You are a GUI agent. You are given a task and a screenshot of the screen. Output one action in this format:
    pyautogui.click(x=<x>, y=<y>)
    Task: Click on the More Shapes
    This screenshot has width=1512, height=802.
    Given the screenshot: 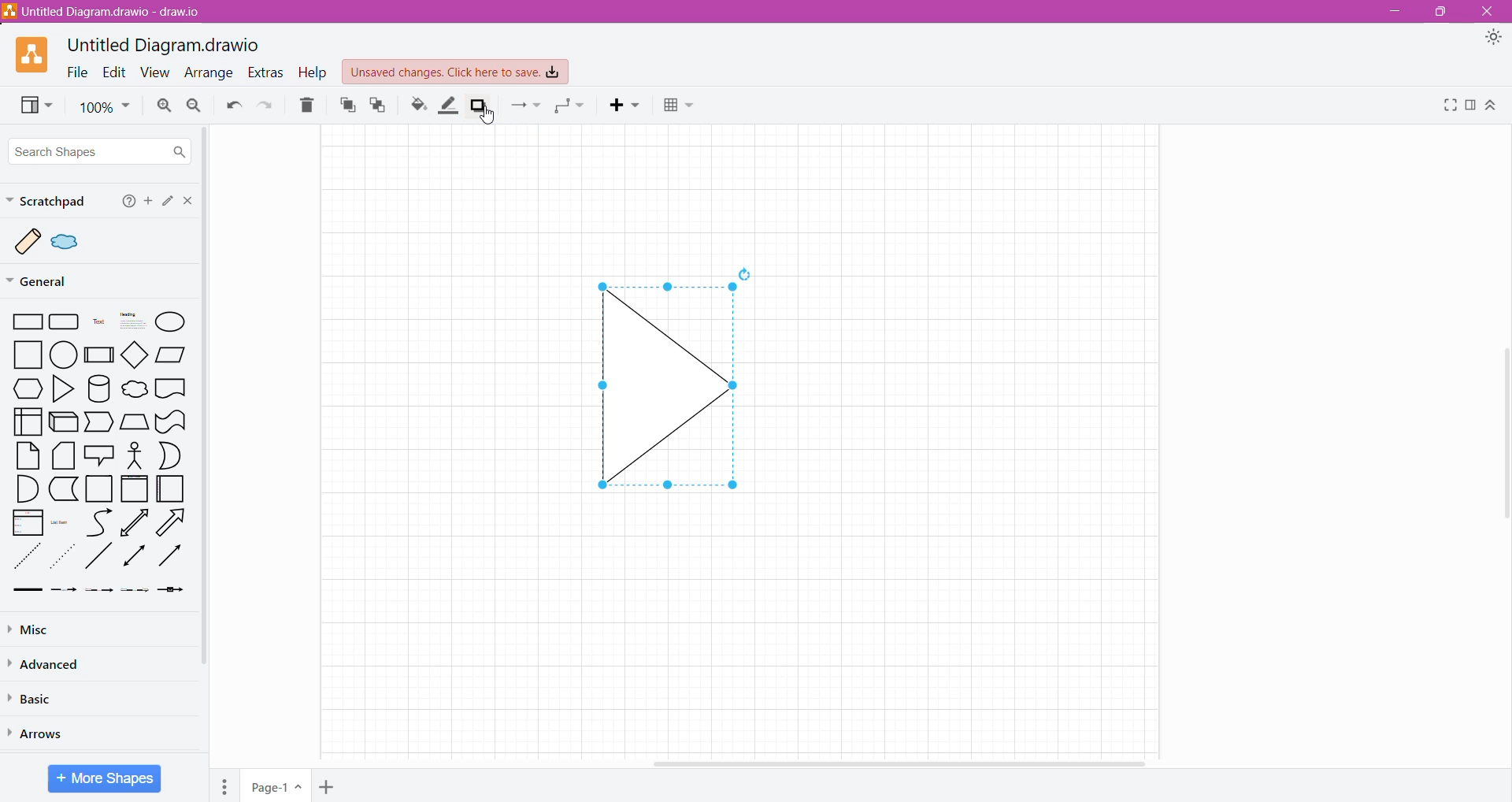 What is the action you would take?
    pyautogui.click(x=105, y=778)
    